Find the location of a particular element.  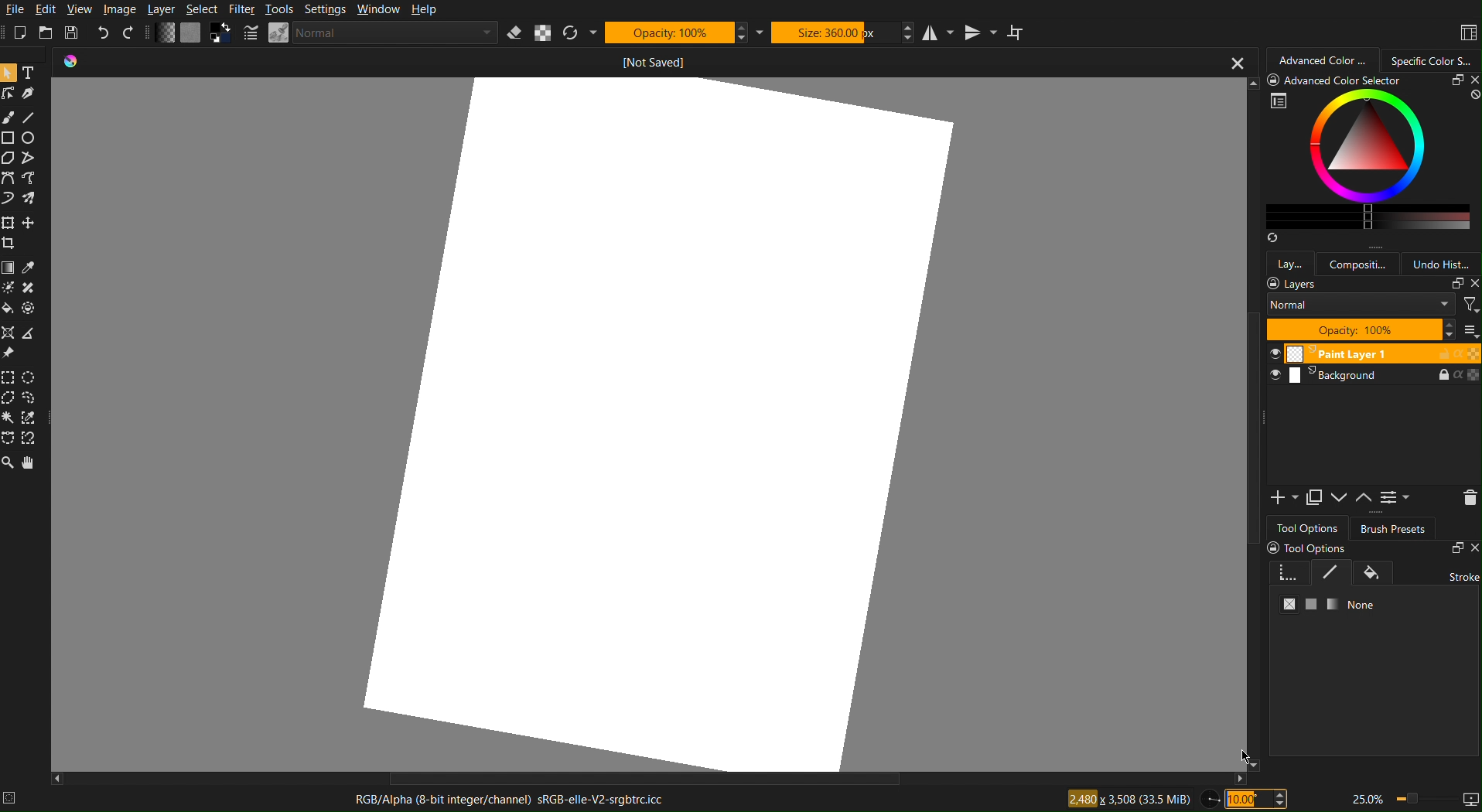

Color Selector Tool (Eyedropper Tool) is located at coordinates (29, 268).